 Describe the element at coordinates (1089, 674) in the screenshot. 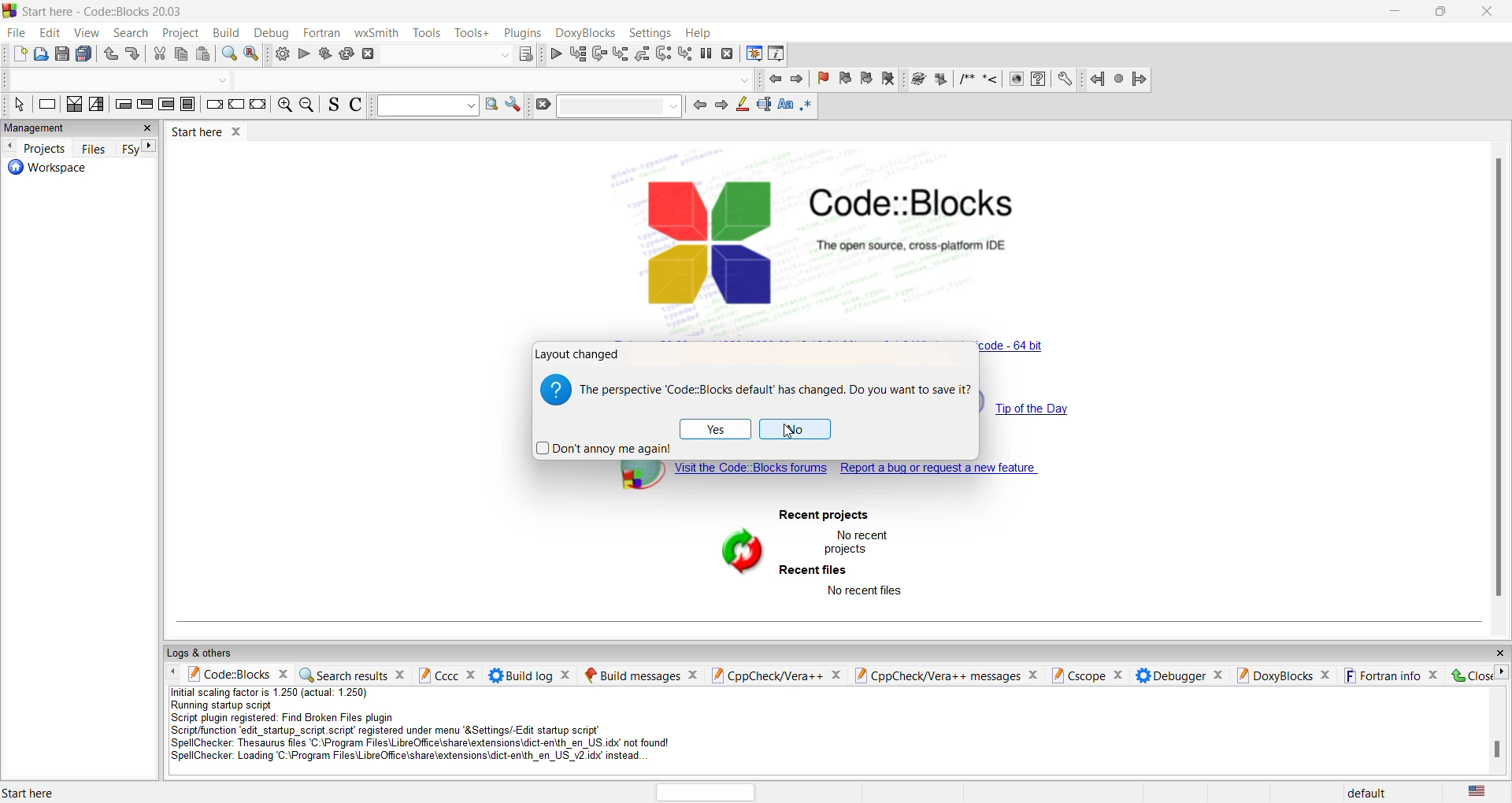

I see `Cscope` at that location.